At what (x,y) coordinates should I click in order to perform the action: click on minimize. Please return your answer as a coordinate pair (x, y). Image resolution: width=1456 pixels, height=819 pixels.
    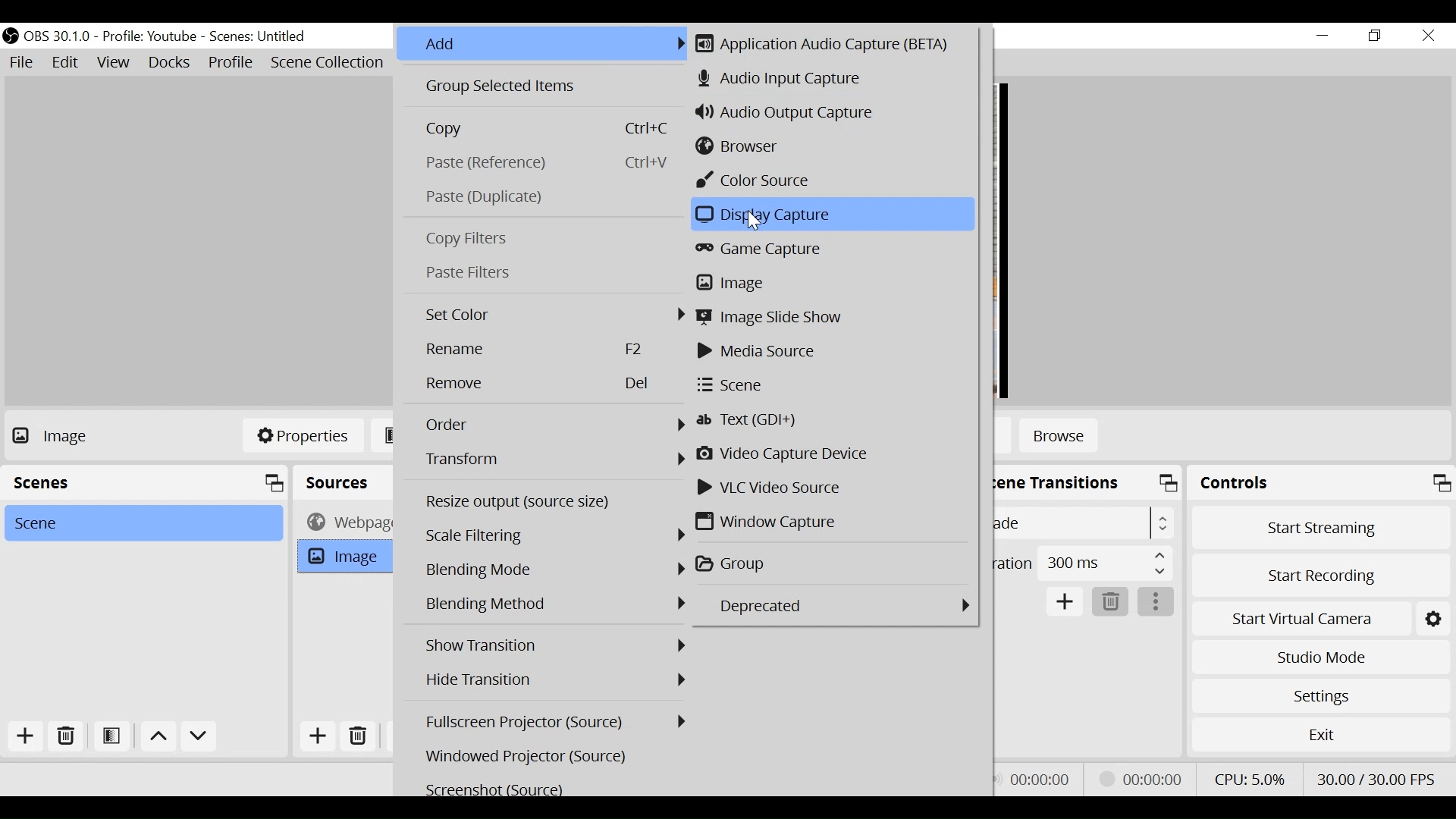
    Looking at the image, I should click on (1322, 36).